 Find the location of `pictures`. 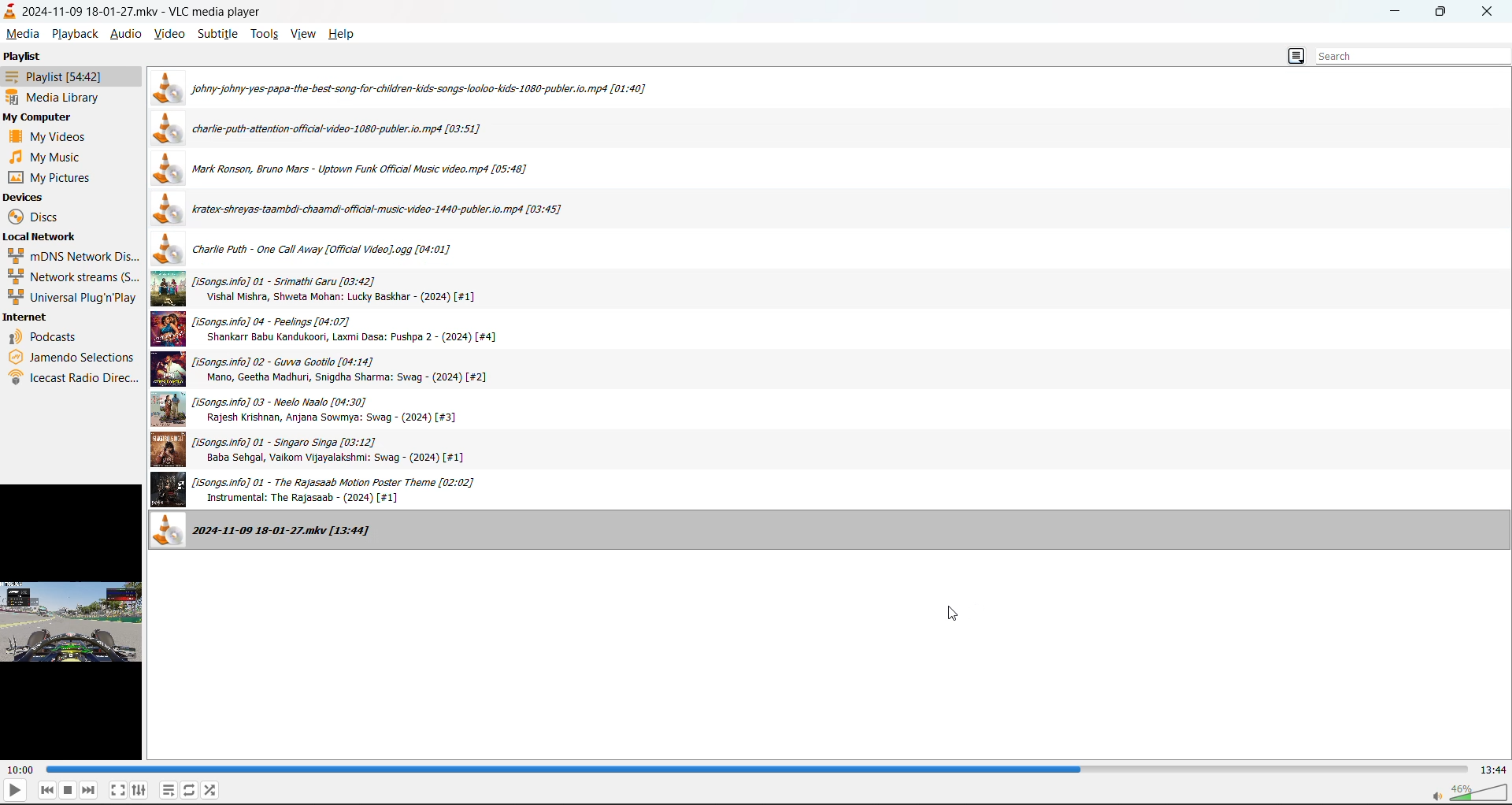

pictures is located at coordinates (50, 178).